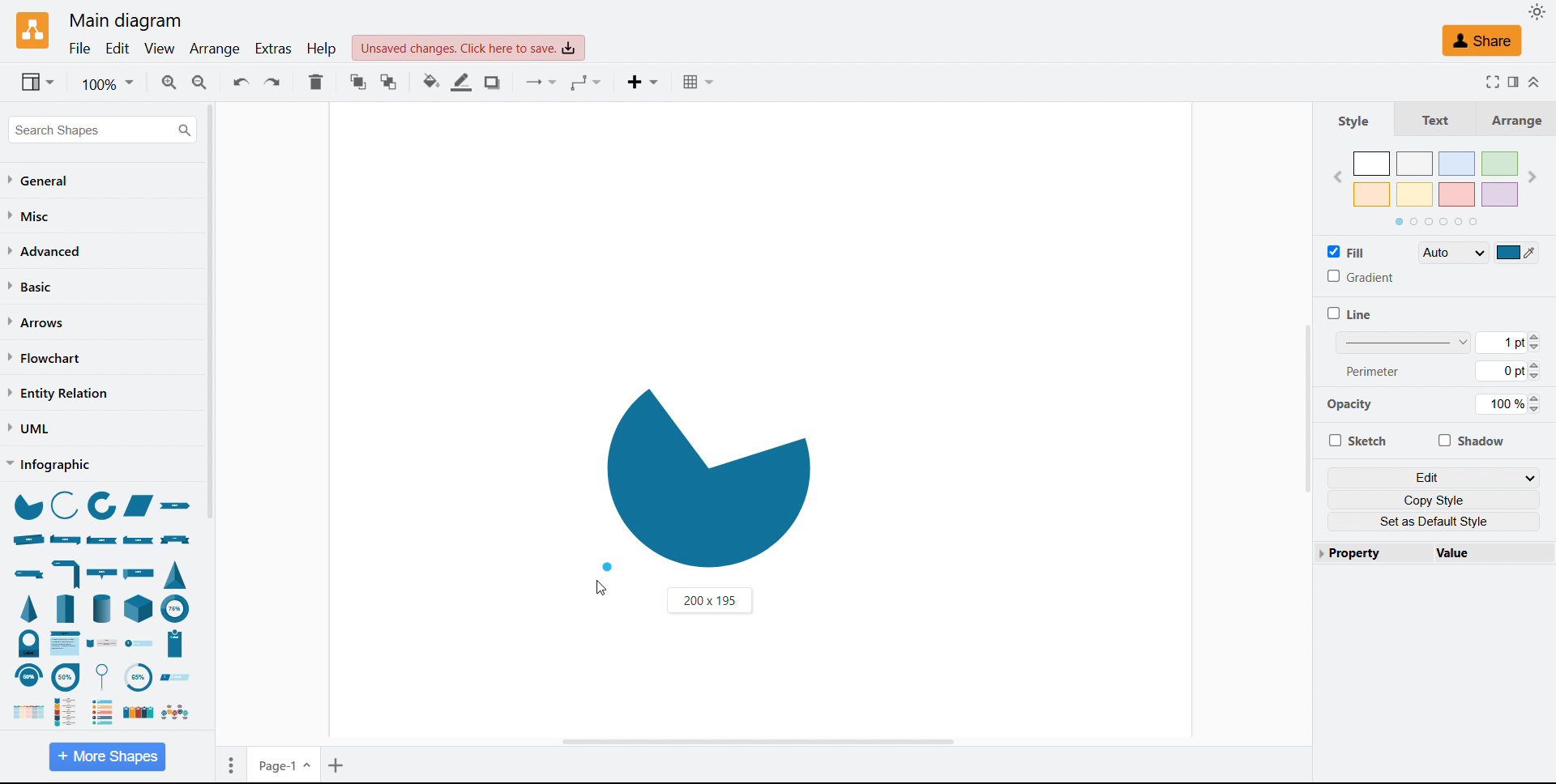  I want to click on Full screen , so click(1489, 81).